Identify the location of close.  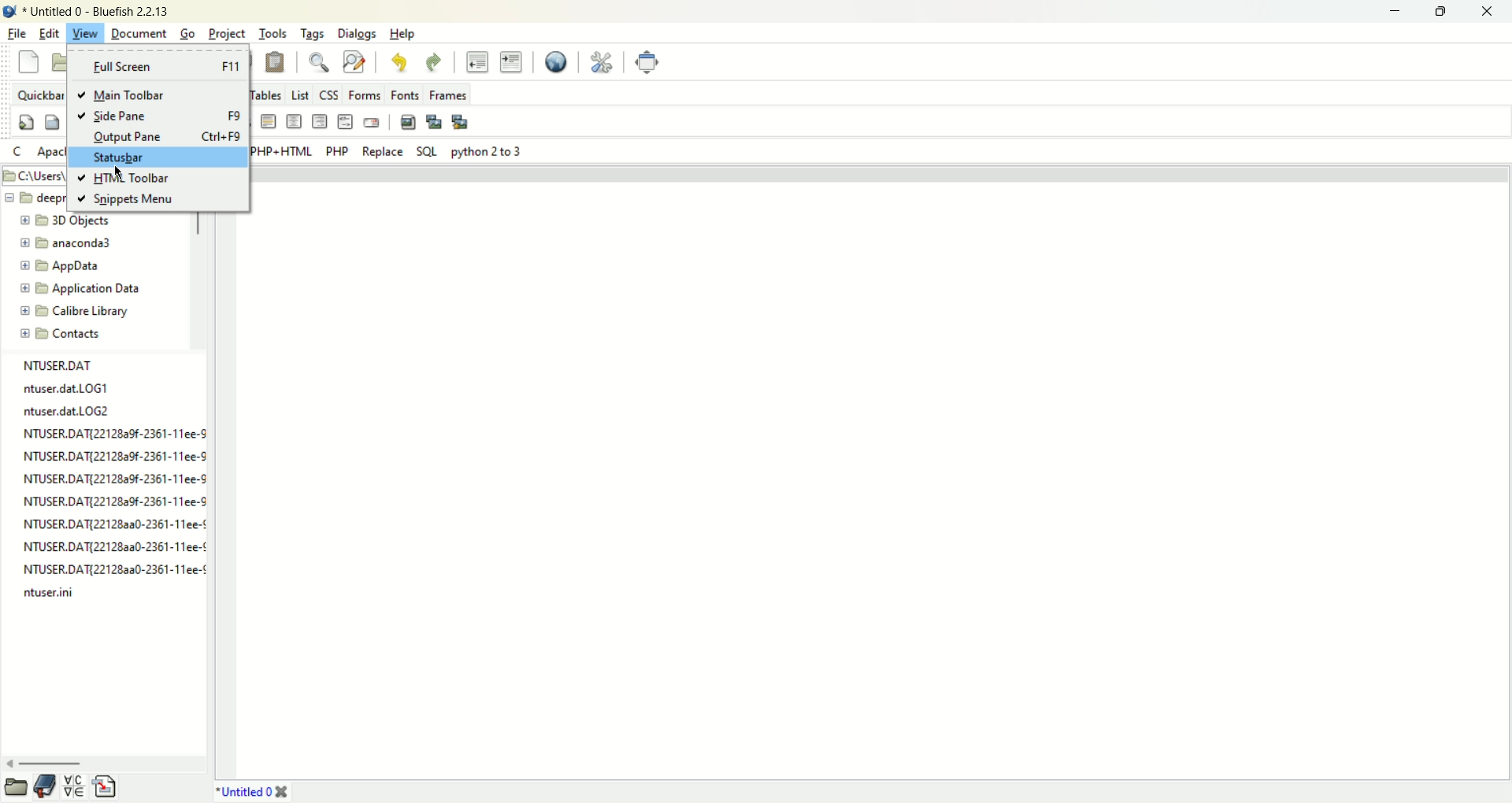
(282, 793).